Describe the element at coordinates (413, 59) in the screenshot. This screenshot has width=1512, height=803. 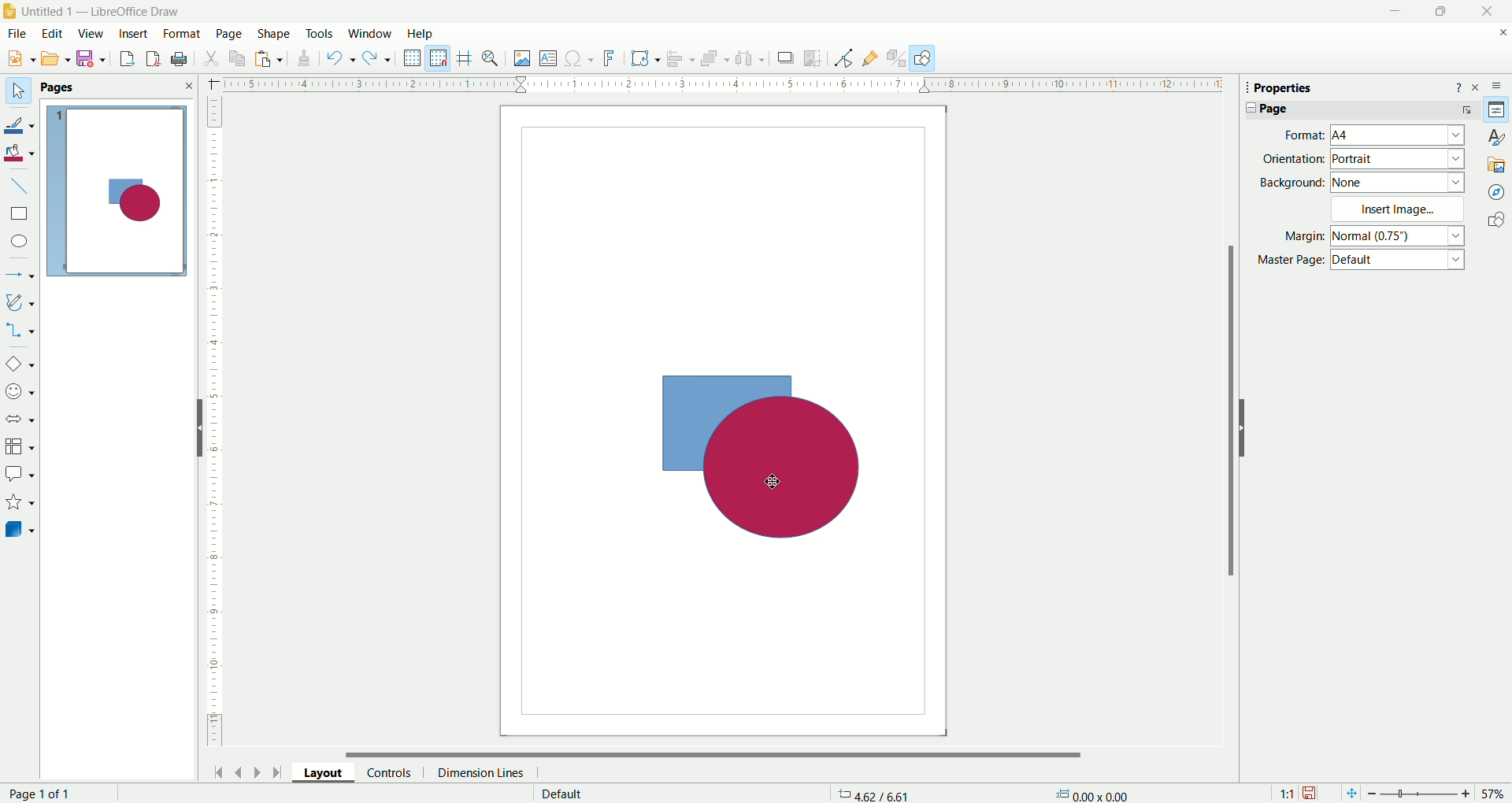
I see `display grid` at that location.